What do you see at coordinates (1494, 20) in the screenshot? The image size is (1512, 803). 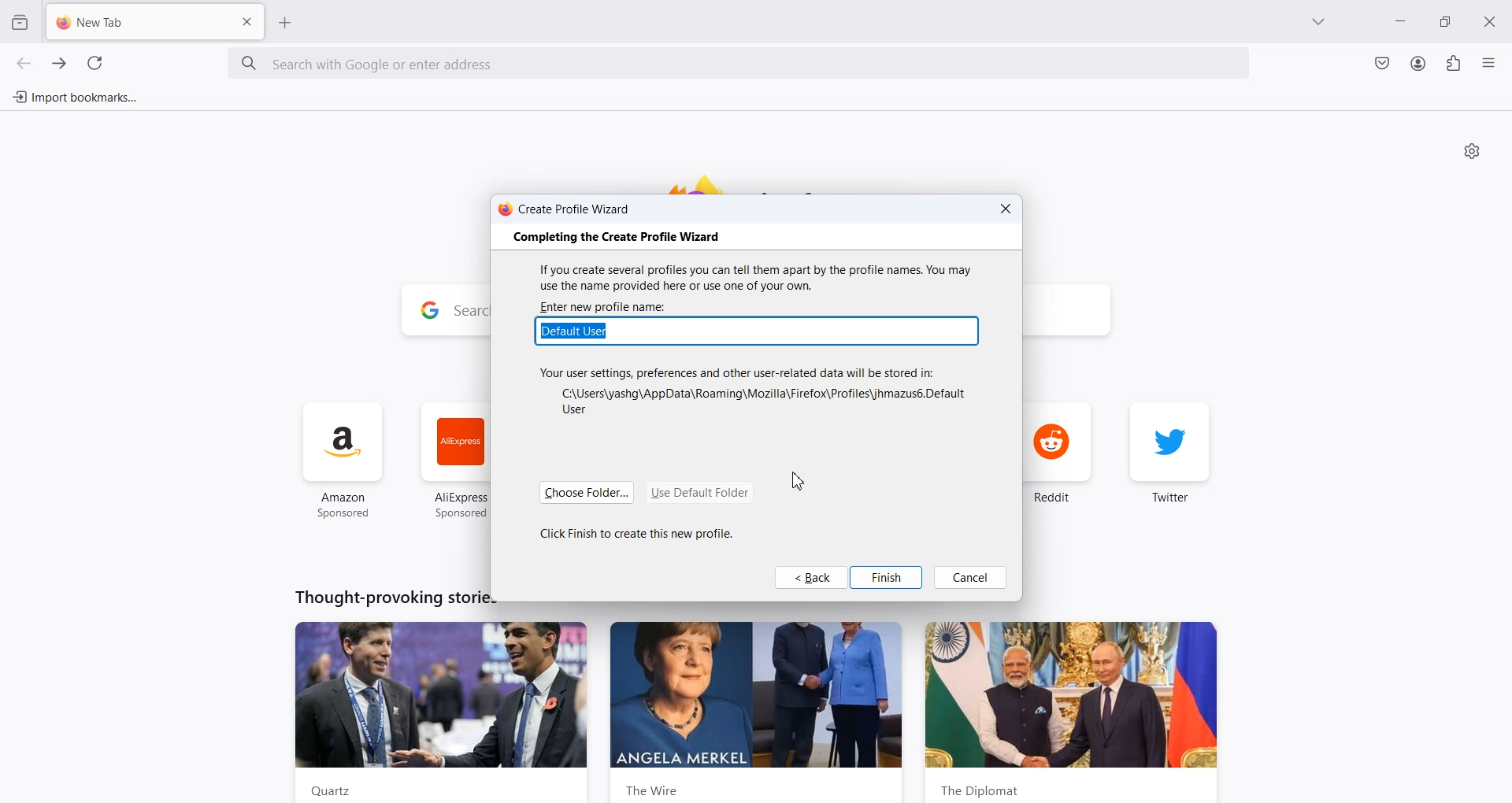 I see `Close` at bounding box center [1494, 20].